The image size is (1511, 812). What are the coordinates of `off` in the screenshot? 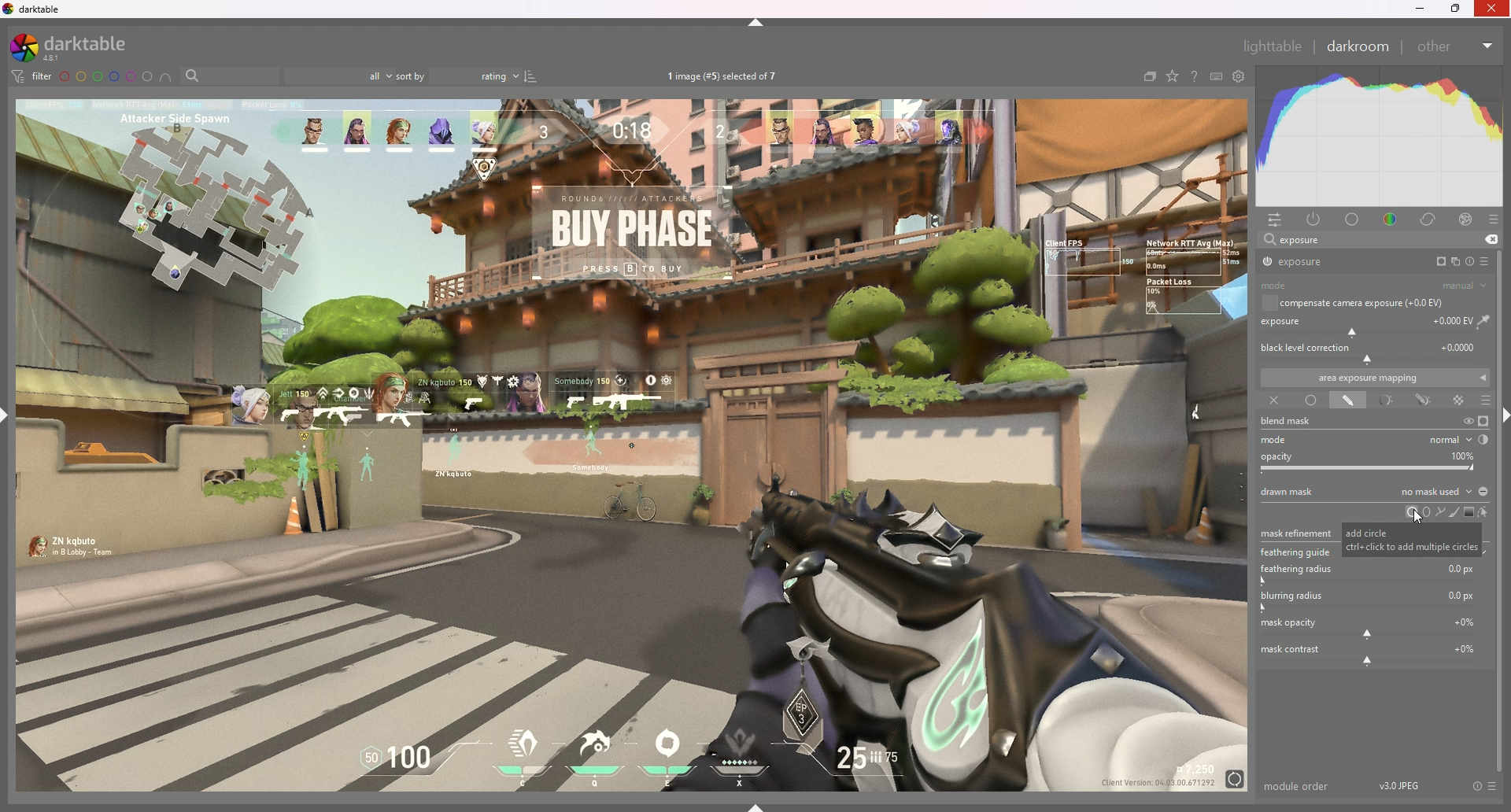 It's located at (1272, 401).